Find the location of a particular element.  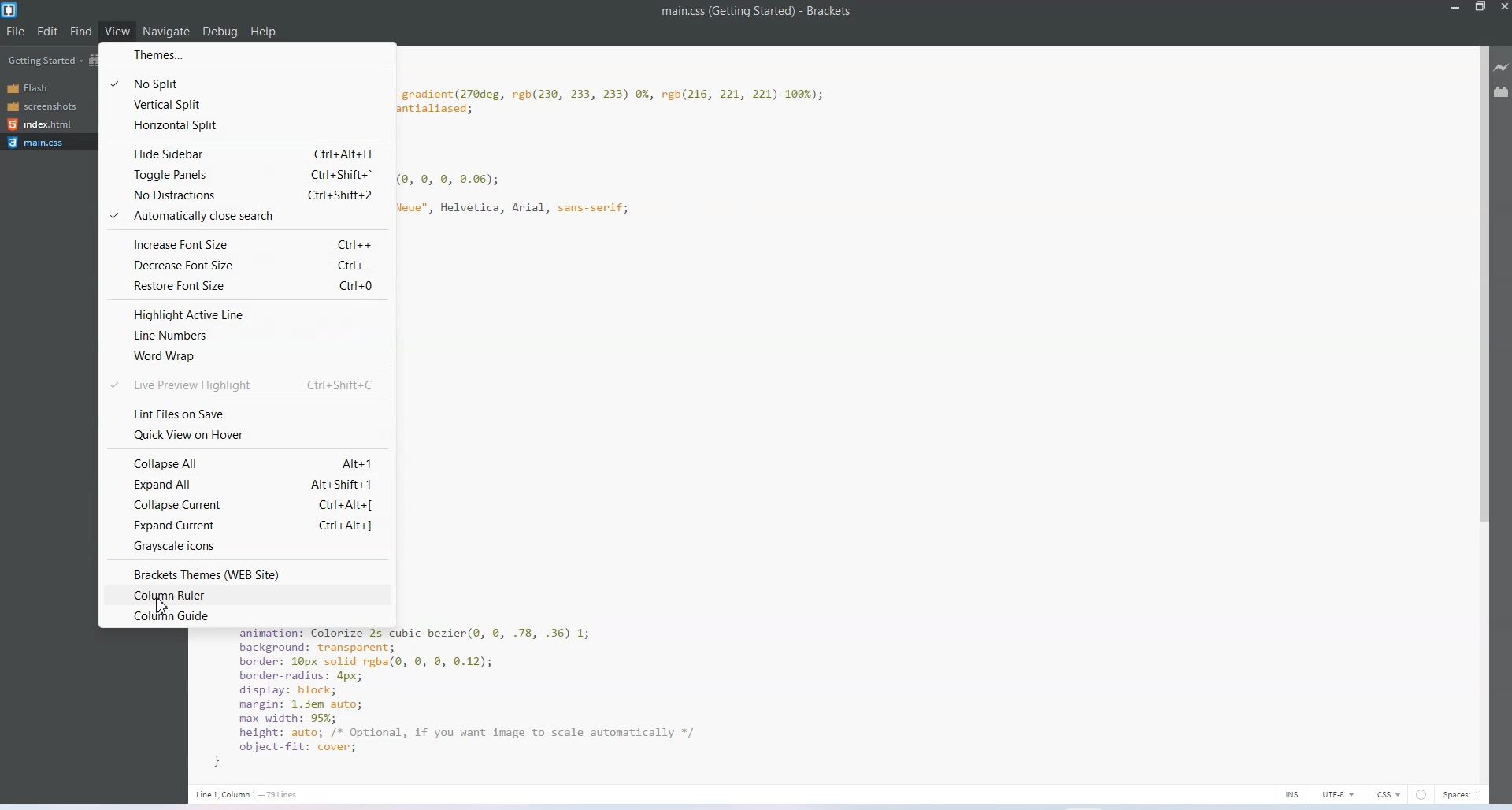

View is located at coordinates (121, 30).